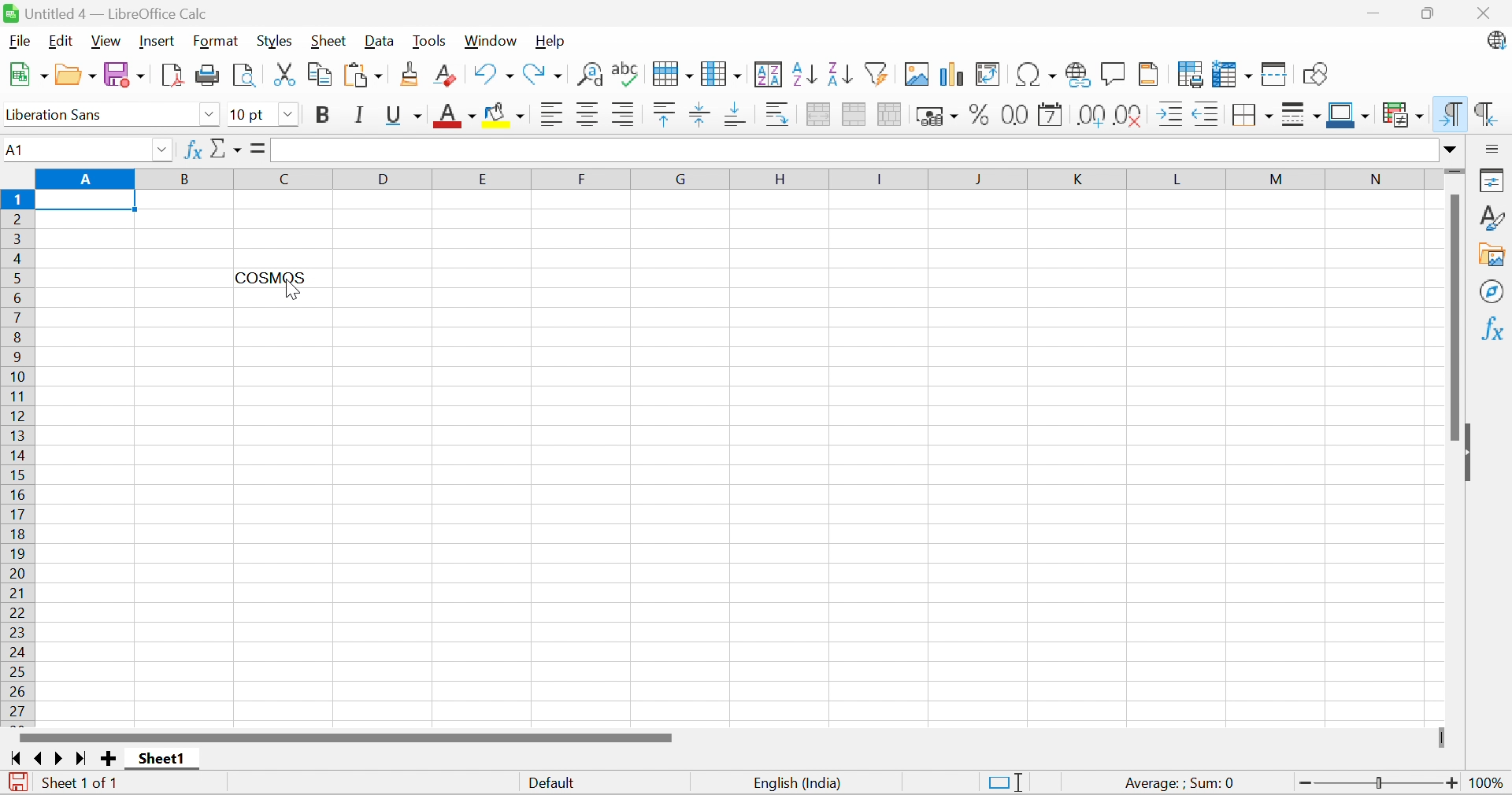 This screenshot has height=795, width=1512. Describe the element at coordinates (623, 71) in the screenshot. I see `Spelling` at that location.